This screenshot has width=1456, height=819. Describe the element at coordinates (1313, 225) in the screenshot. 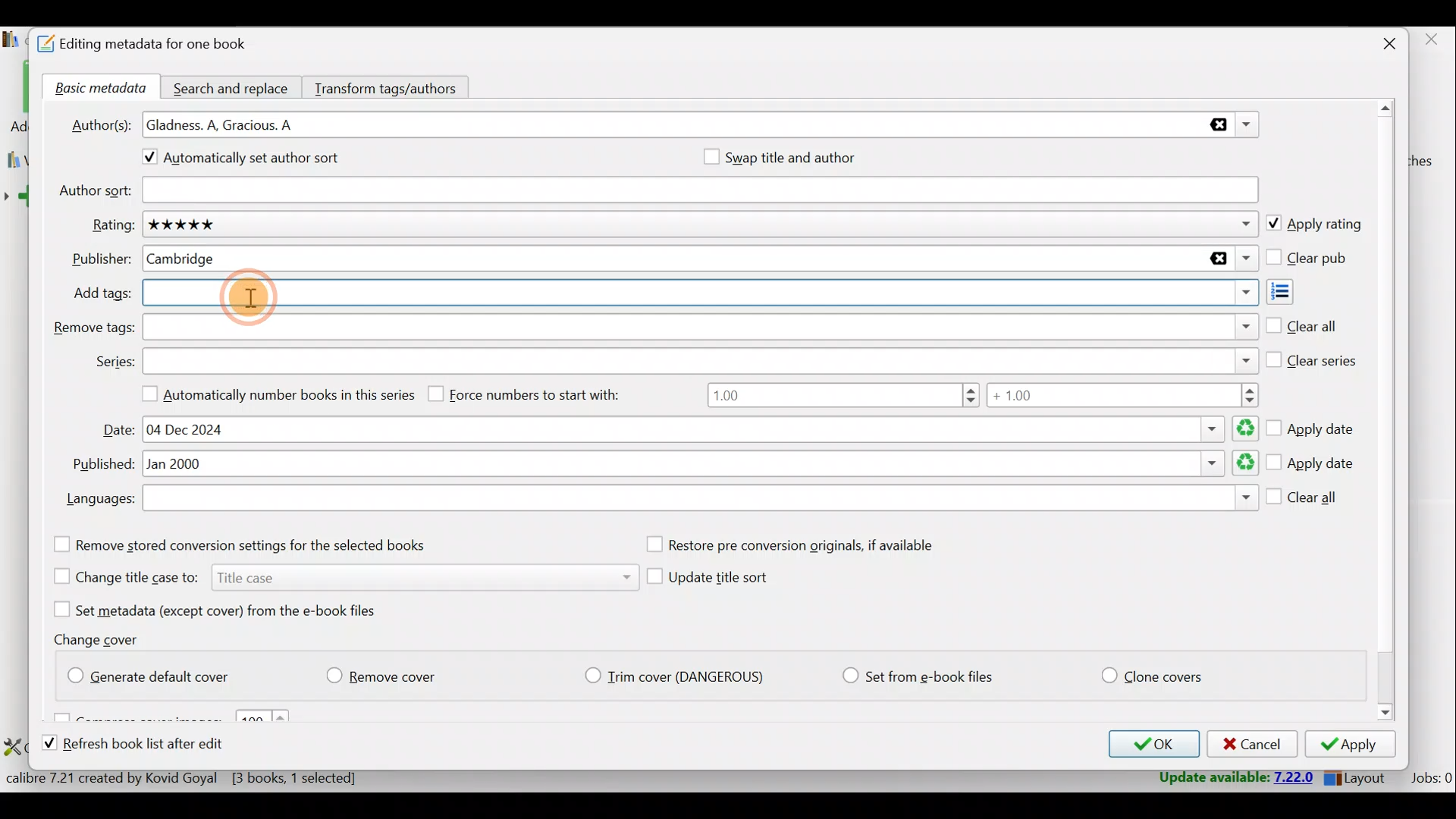

I see `Apply rating` at that location.